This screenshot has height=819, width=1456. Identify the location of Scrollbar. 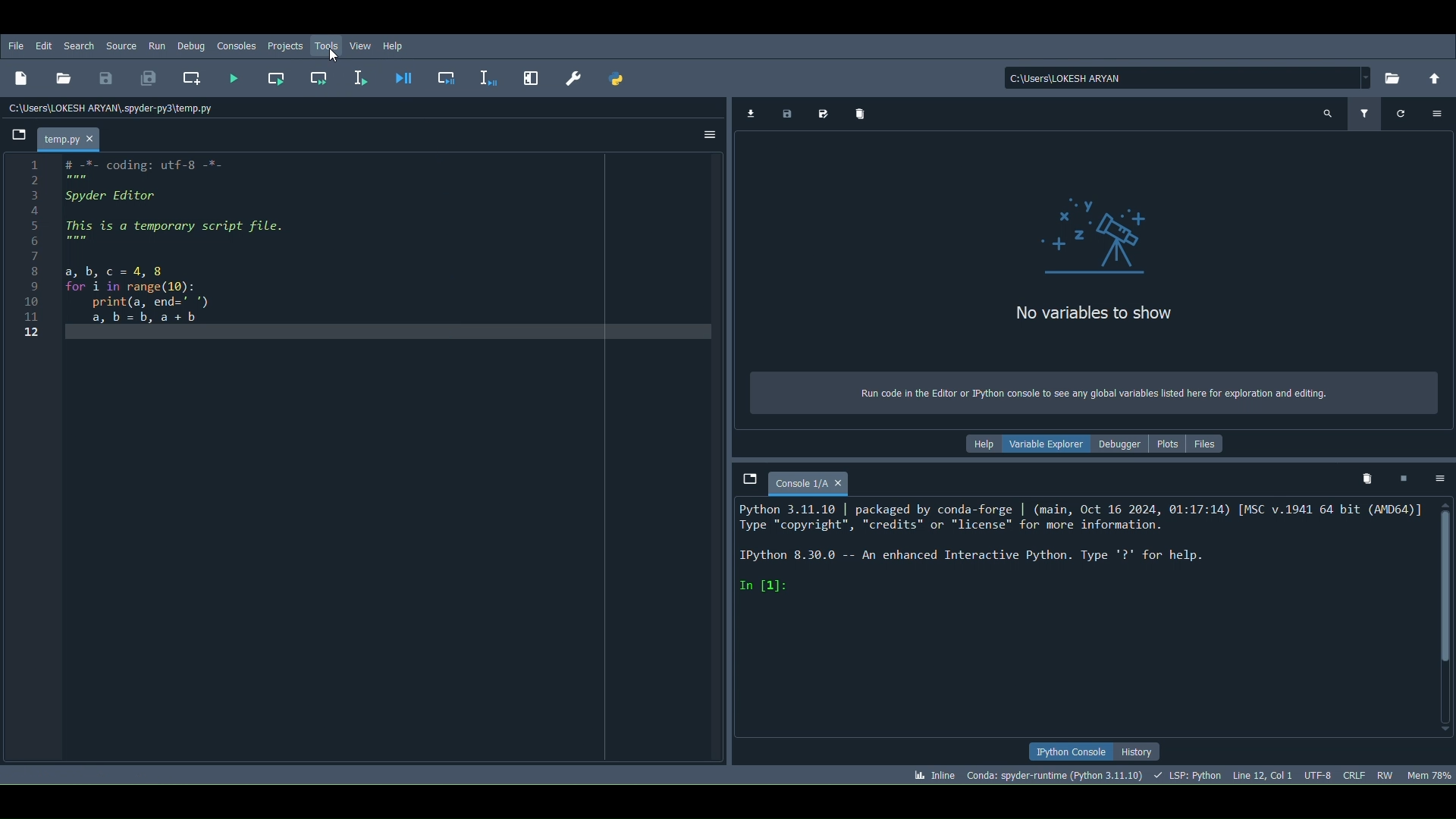
(1446, 617).